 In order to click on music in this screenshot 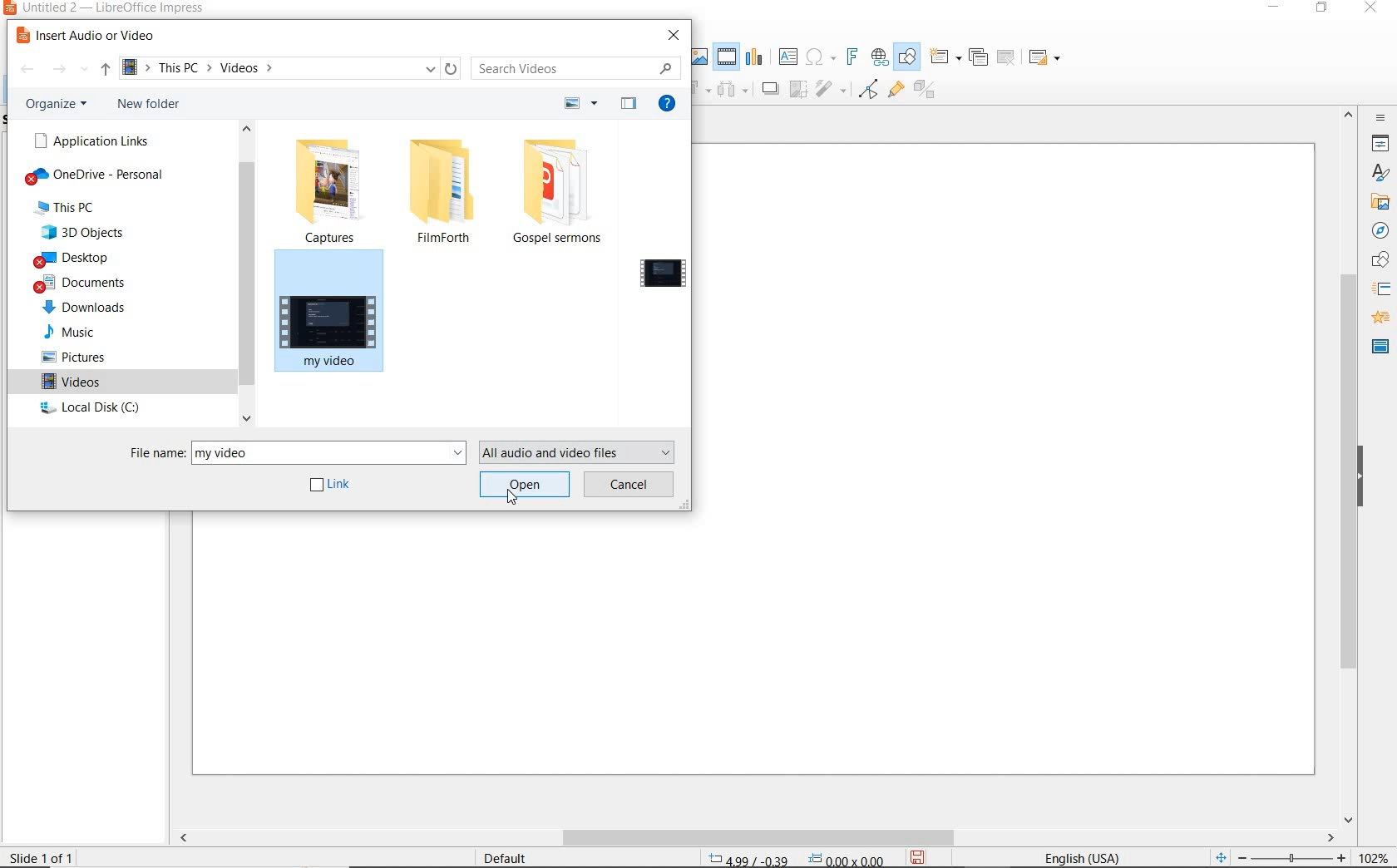, I will do `click(68, 329)`.